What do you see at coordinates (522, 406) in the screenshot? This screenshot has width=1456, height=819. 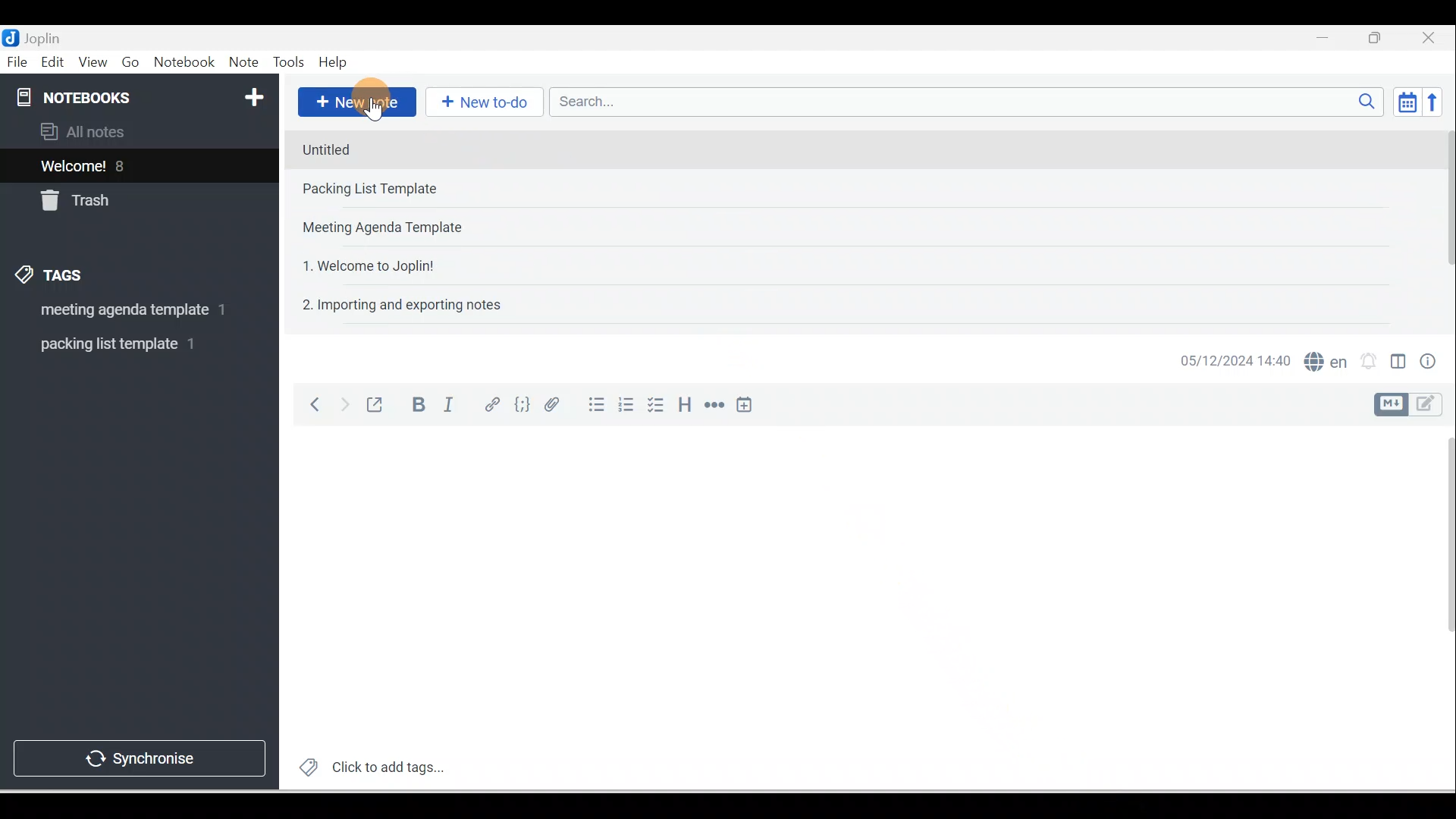 I see `Code` at bounding box center [522, 406].